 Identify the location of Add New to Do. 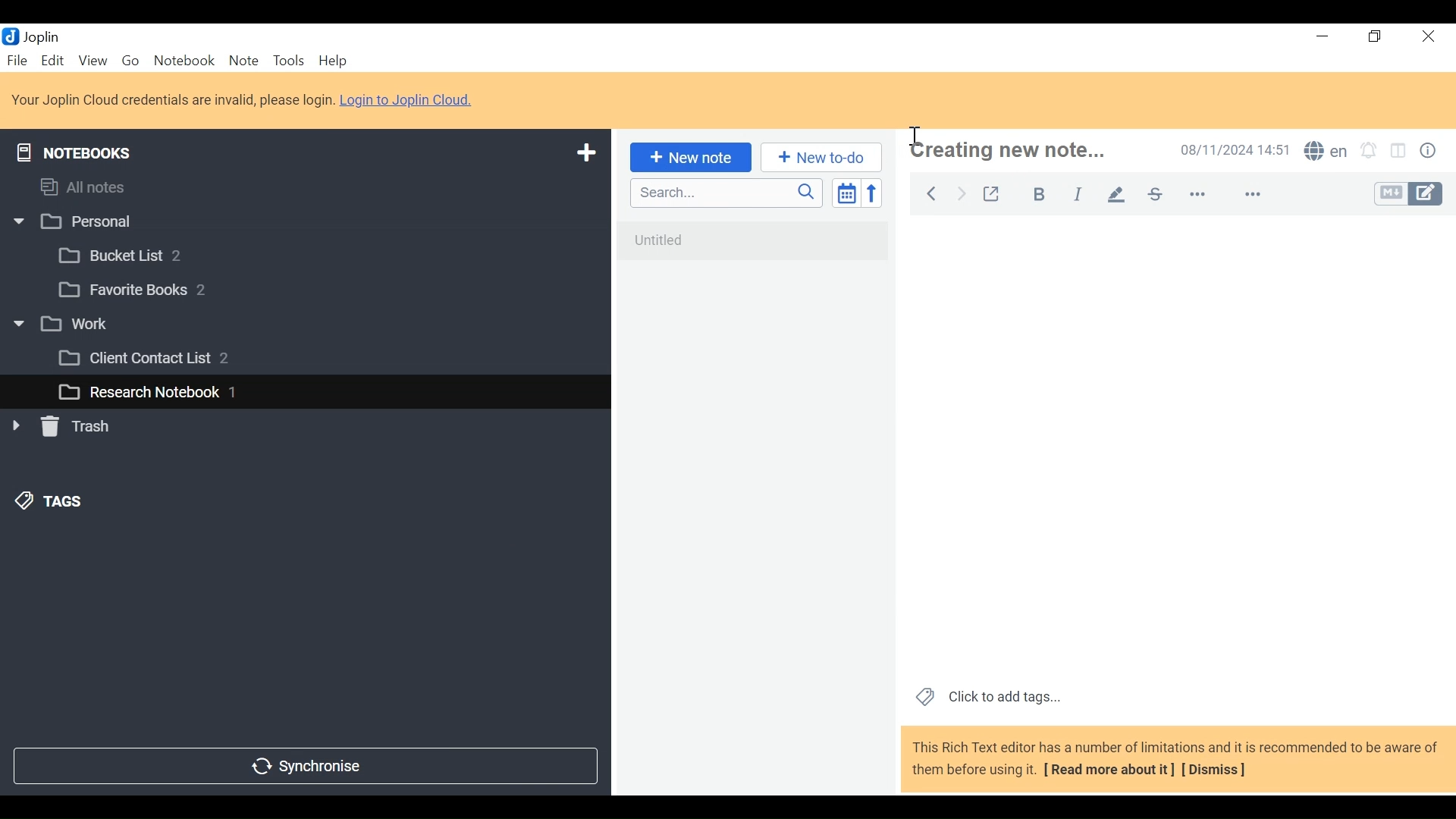
(821, 158).